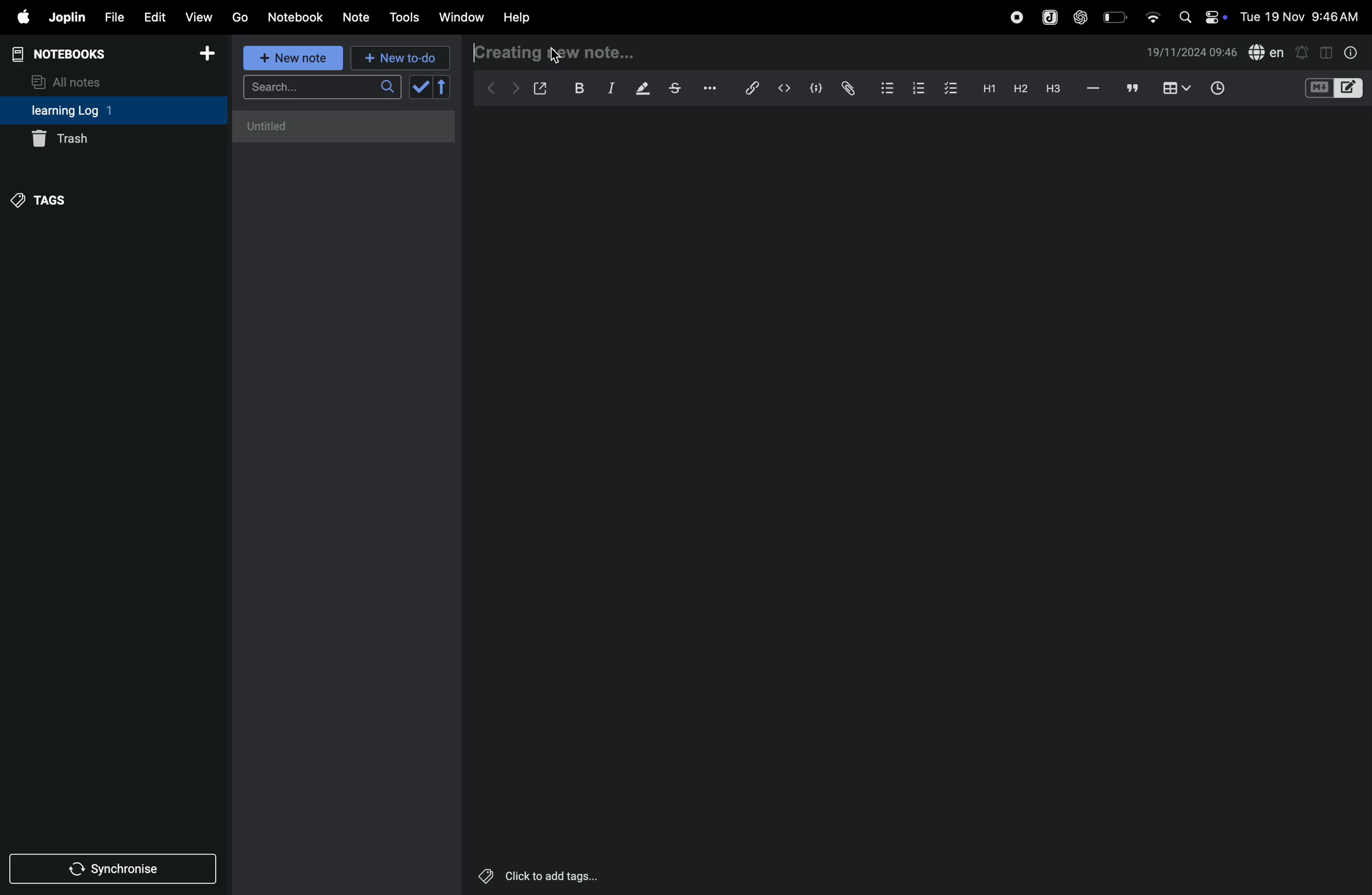 This screenshot has height=895, width=1372. Describe the element at coordinates (541, 88) in the screenshot. I see `open` at that location.